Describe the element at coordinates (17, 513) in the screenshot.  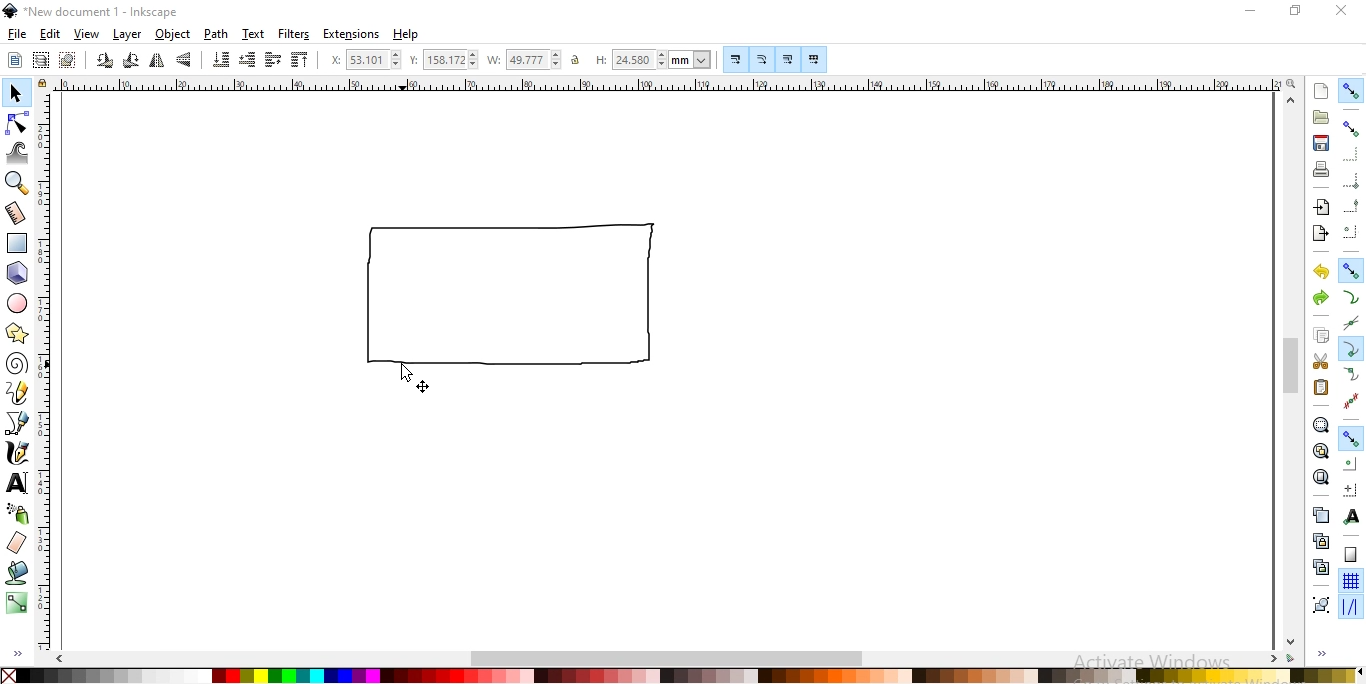
I see `spray objects by sculpting or painting` at that location.